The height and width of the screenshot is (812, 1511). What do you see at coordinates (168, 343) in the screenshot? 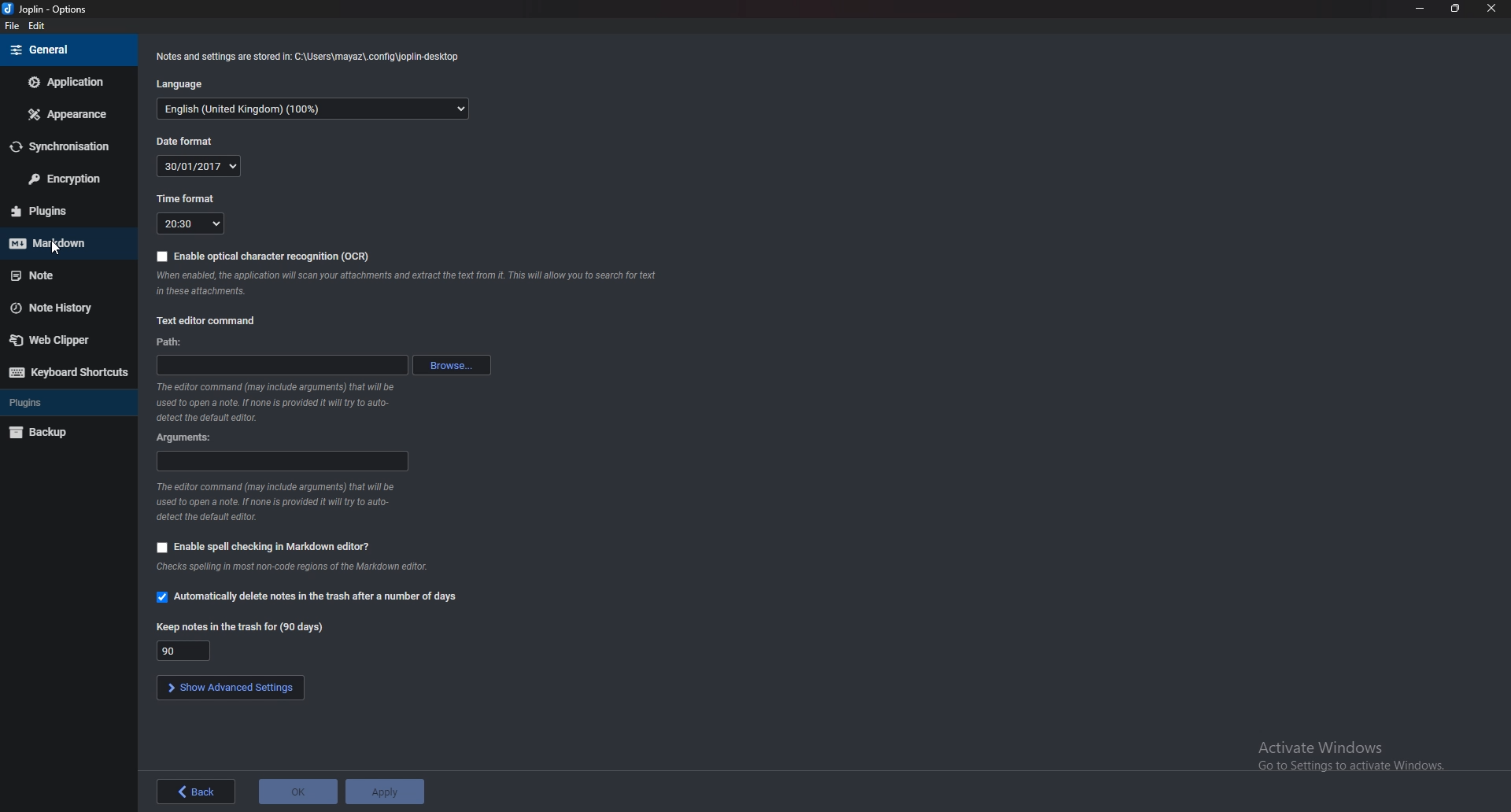
I see `path` at bounding box center [168, 343].